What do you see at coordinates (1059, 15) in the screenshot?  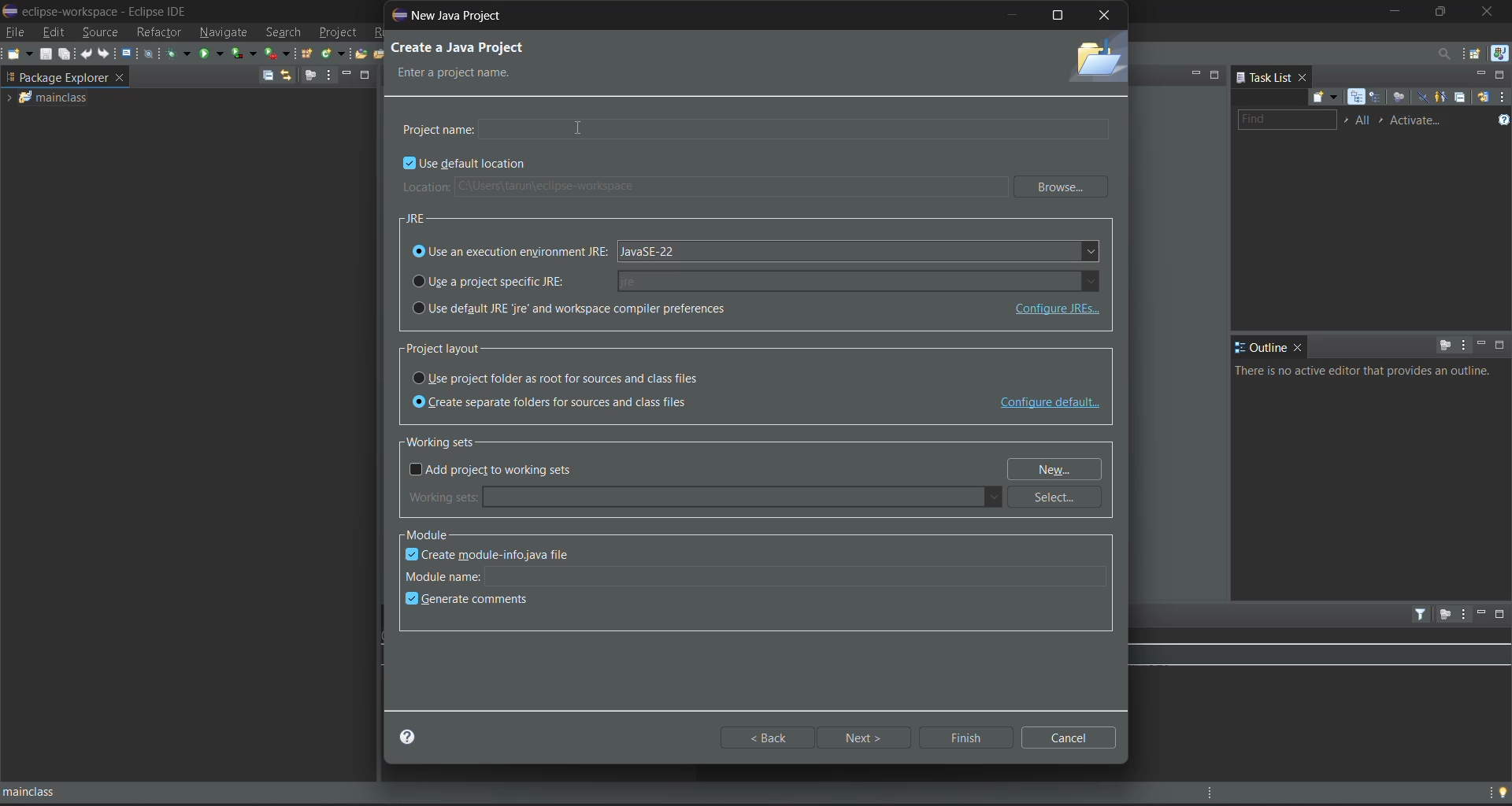 I see `maximize` at bounding box center [1059, 15].